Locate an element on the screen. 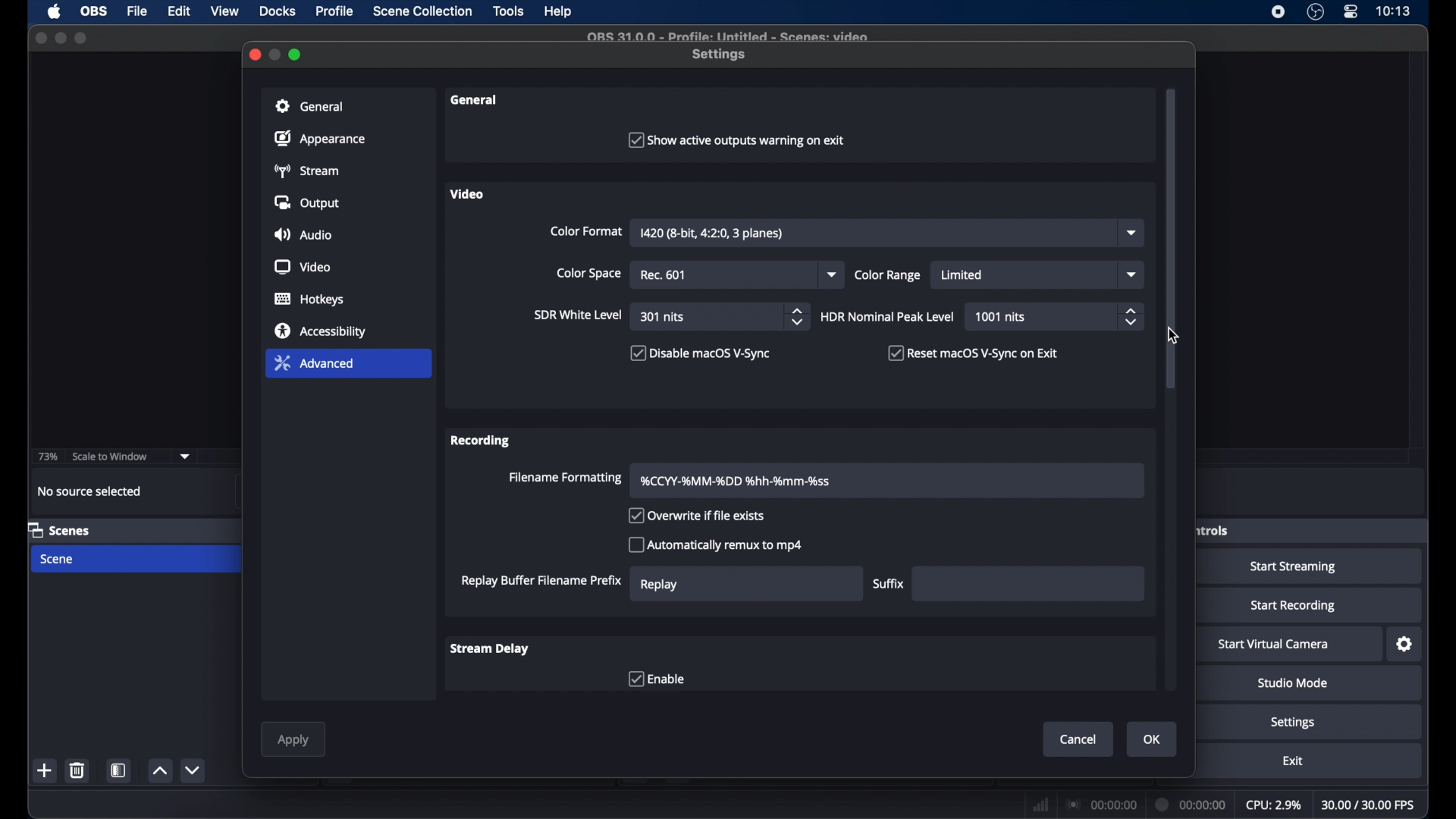 Image resolution: width=1456 pixels, height=819 pixels. stream delay is located at coordinates (488, 649).